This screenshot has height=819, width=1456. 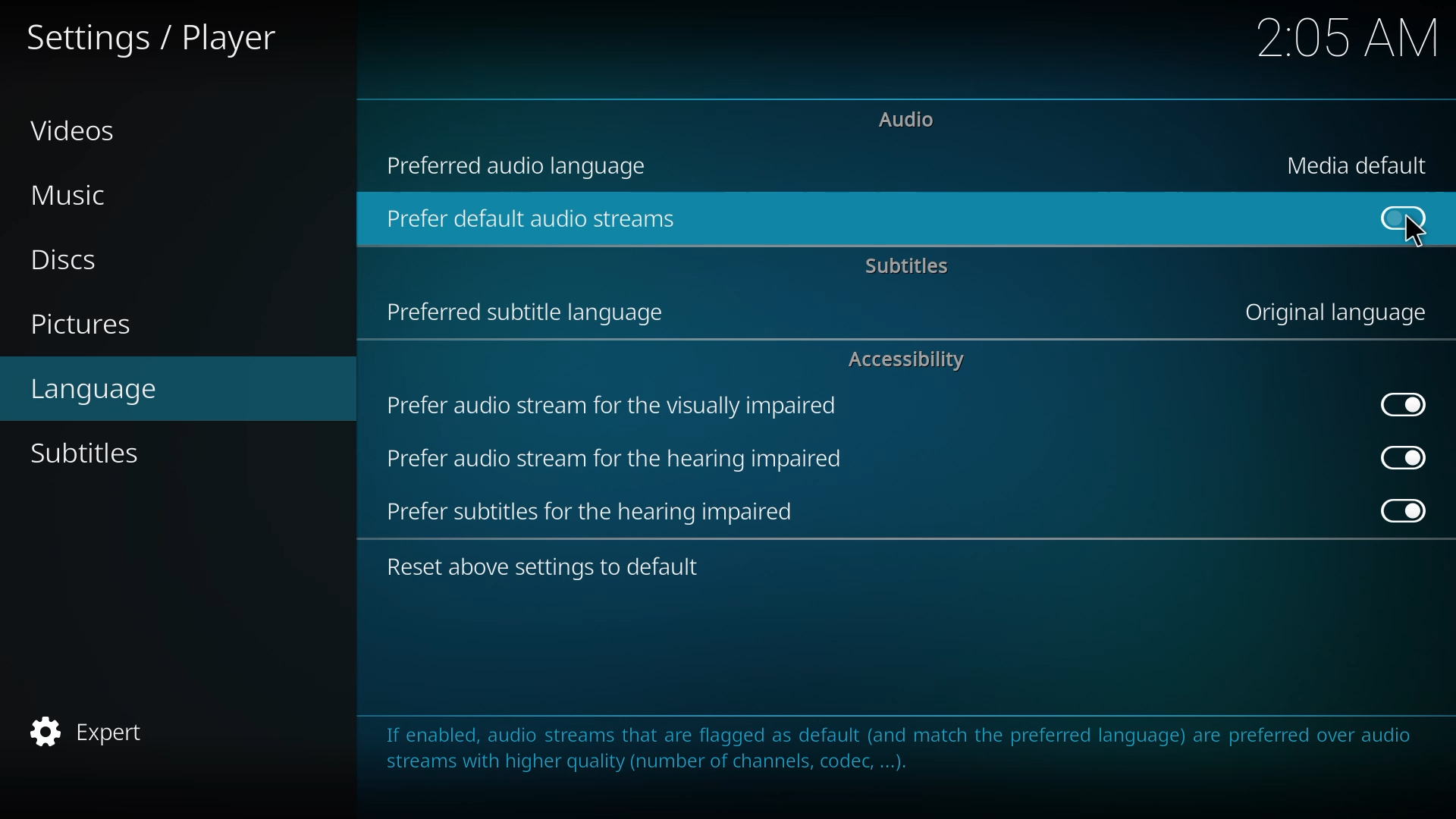 What do you see at coordinates (1333, 314) in the screenshot?
I see `original language` at bounding box center [1333, 314].